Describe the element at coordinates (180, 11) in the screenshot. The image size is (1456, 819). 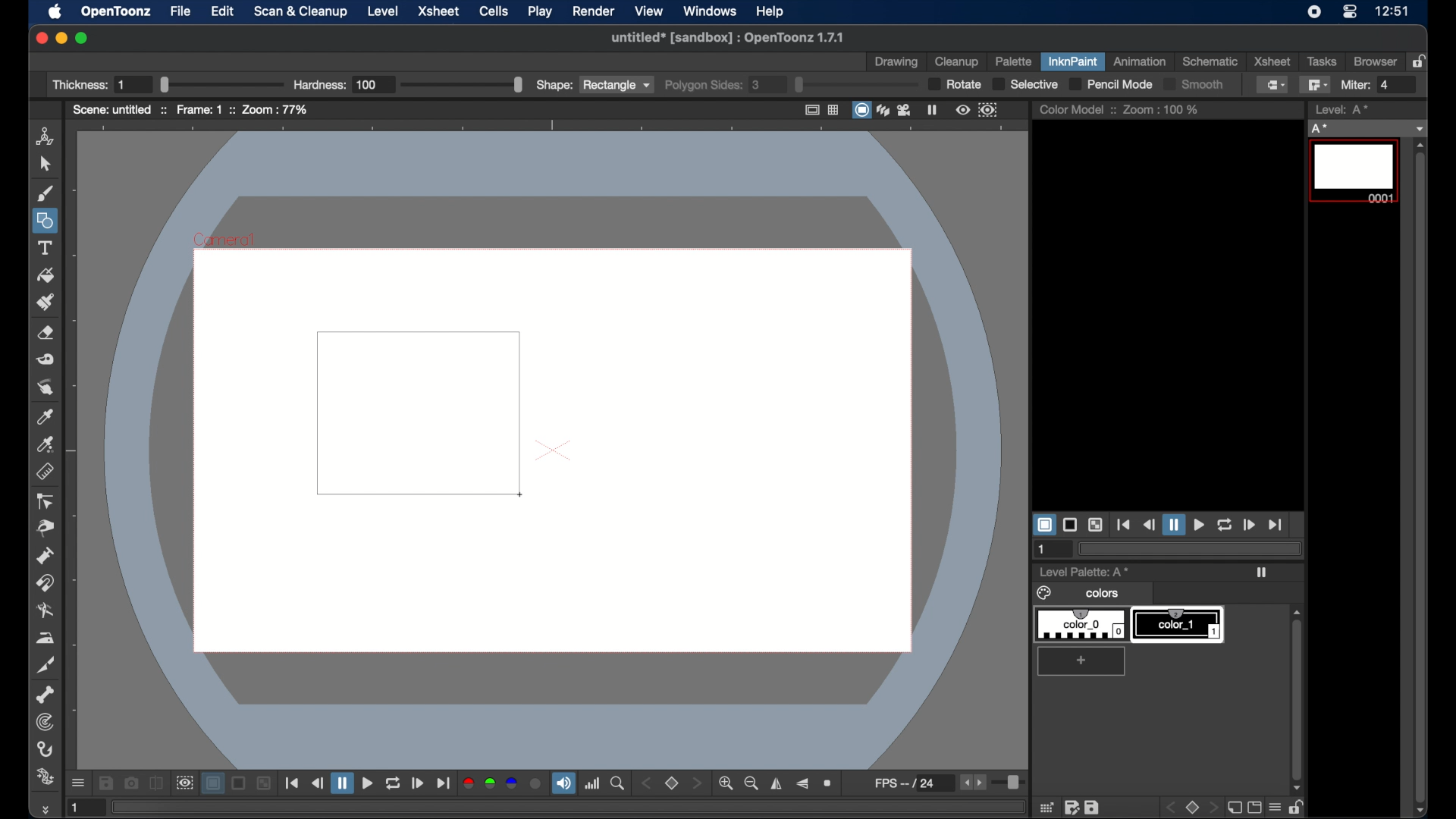
I see `file` at that location.